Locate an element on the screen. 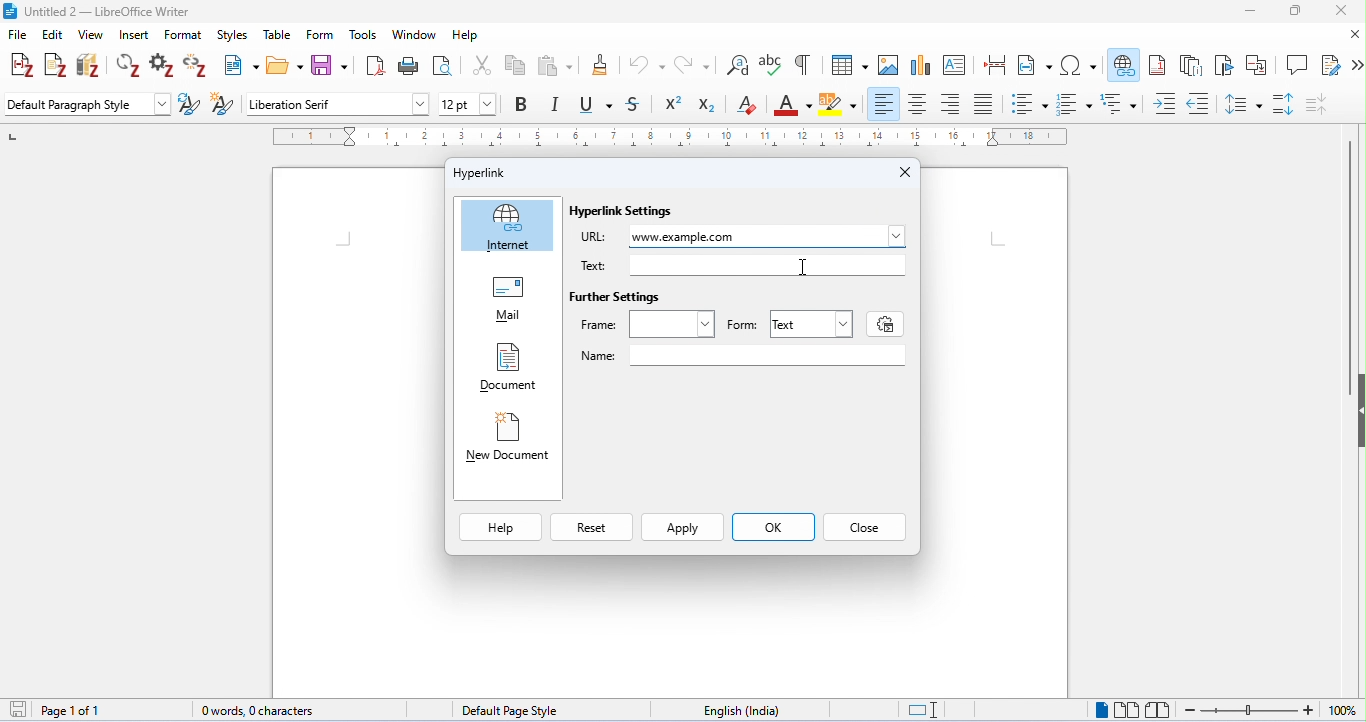 The width and height of the screenshot is (1366, 722). close is located at coordinates (1338, 11).